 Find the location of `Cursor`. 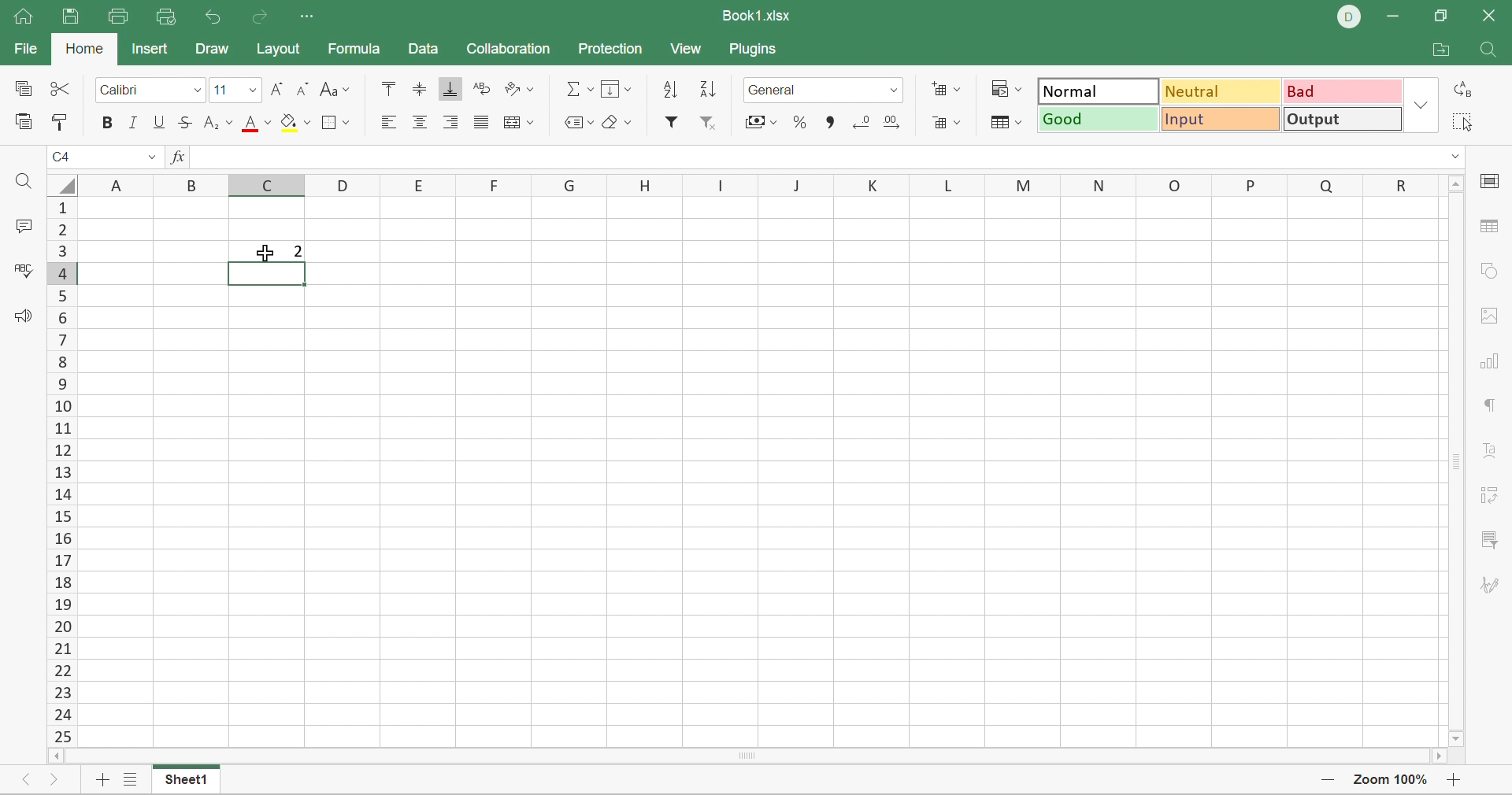

Cursor is located at coordinates (265, 253).